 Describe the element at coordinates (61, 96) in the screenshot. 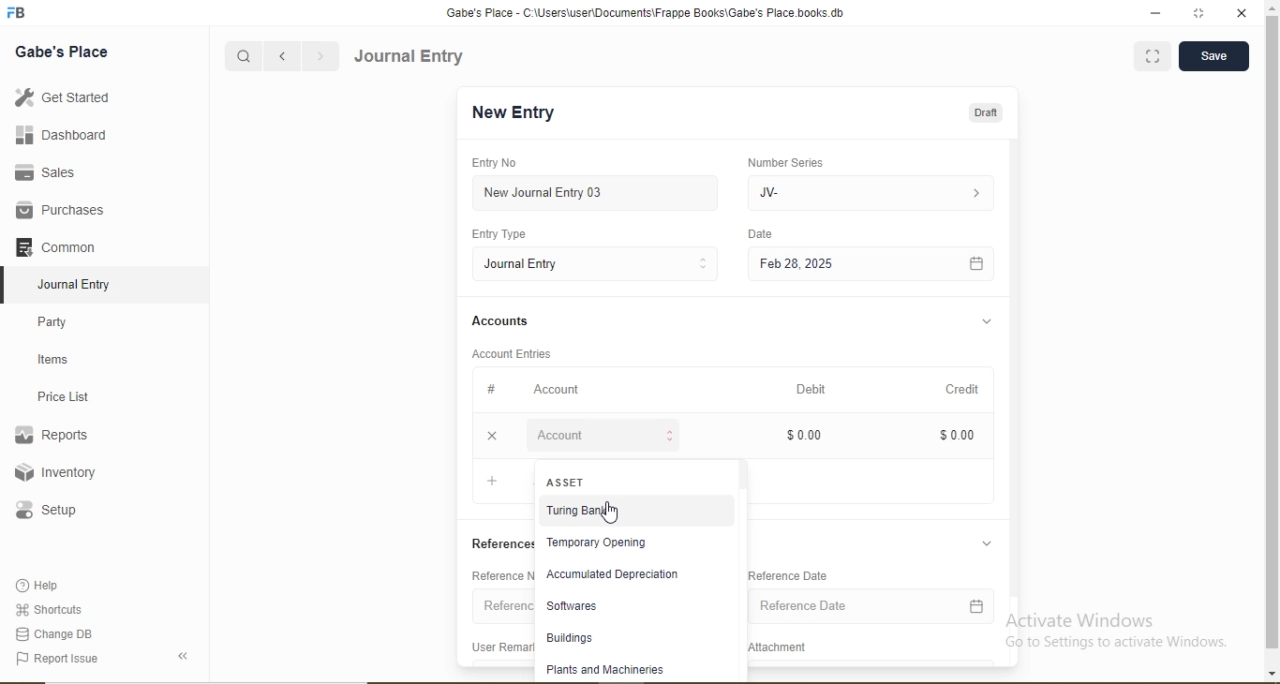

I see `Get Started` at that location.